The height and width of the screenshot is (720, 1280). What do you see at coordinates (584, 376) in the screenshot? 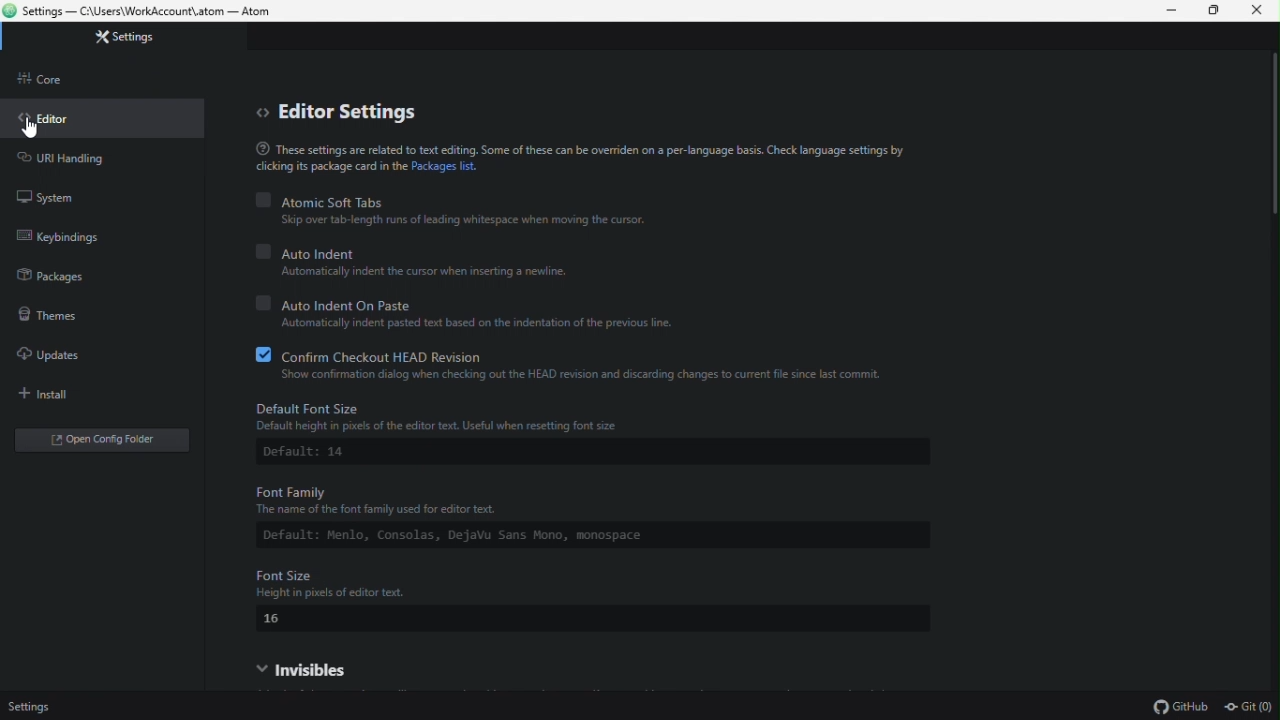
I see `‘Show confirmation dialog when checking out the HEAD revision and discarding changes to current fil since last commit.` at bounding box center [584, 376].